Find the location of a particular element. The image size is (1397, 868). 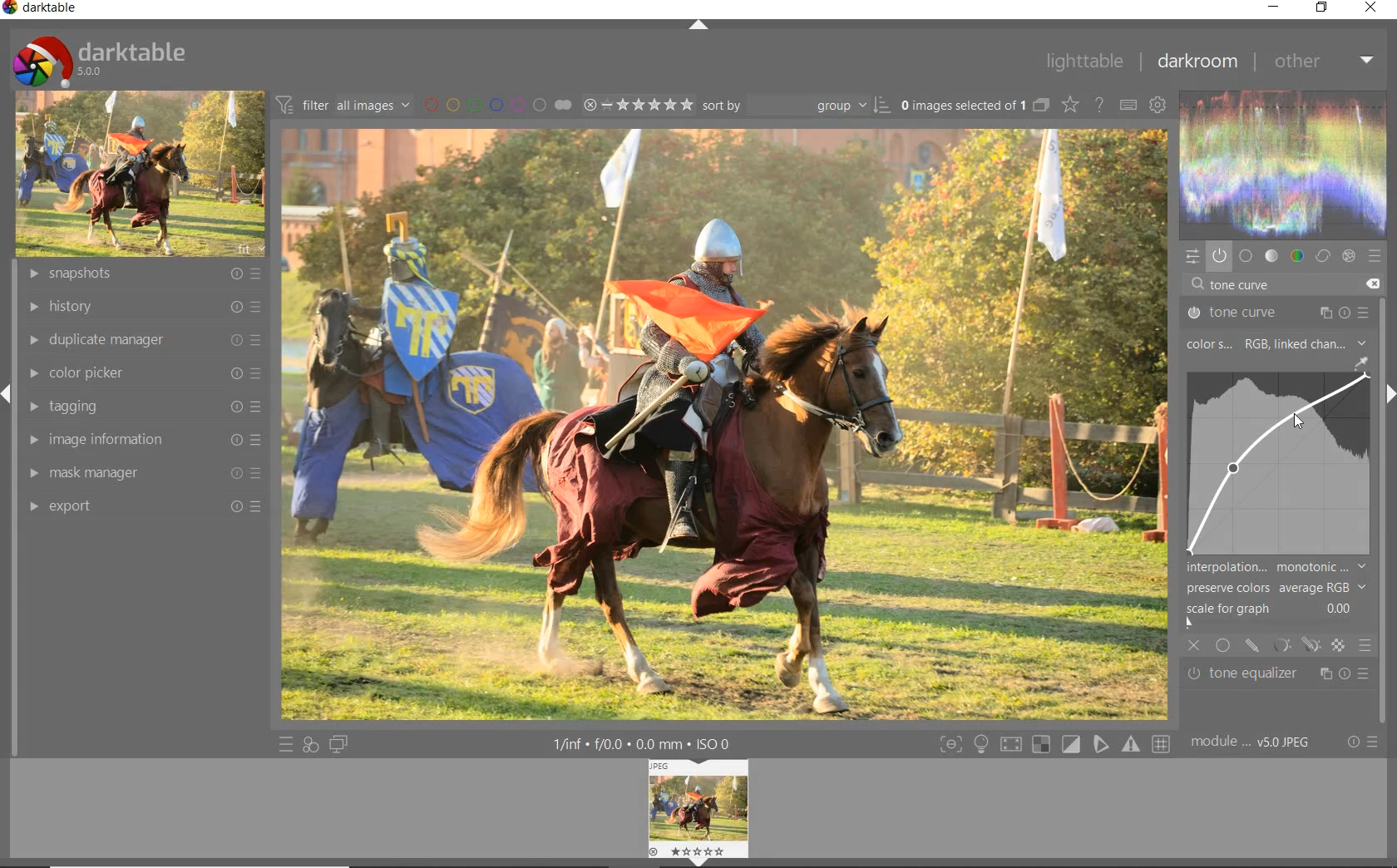

mask options is located at coordinates (1294, 645).